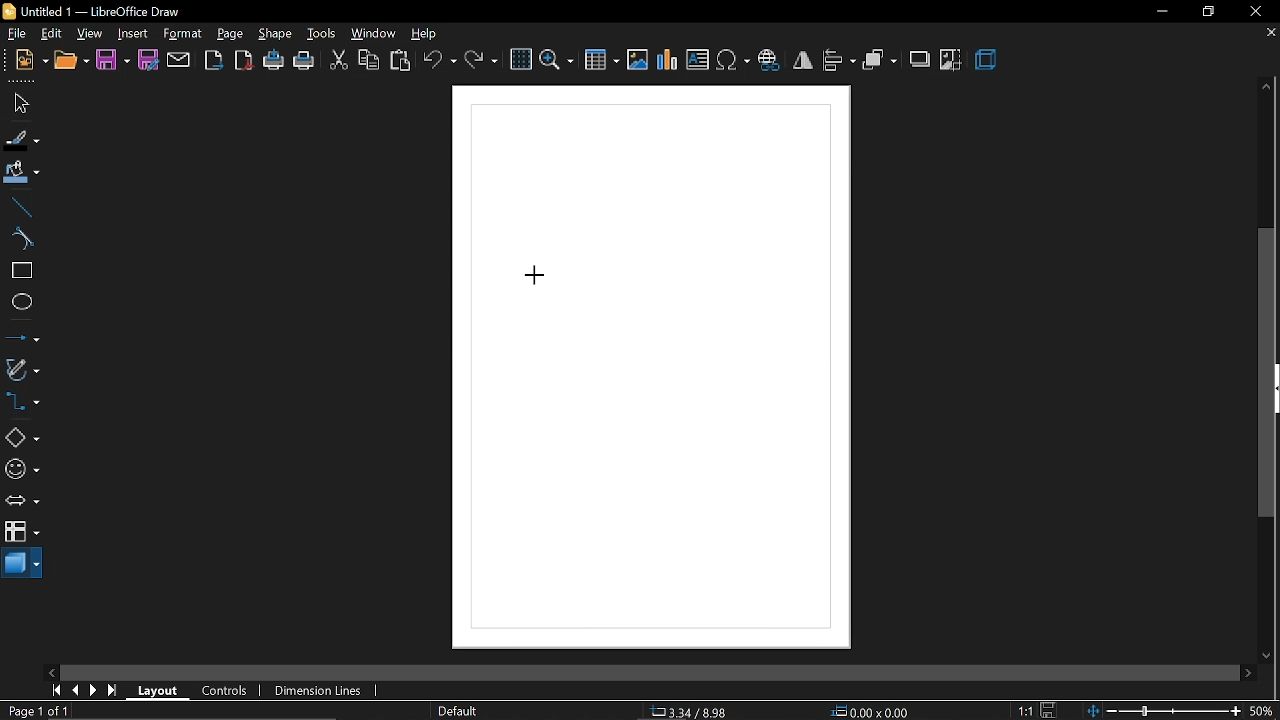  What do you see at coordinates (402, 62) in the screenshot?
I see `paste` at bounding box center [402, 62].